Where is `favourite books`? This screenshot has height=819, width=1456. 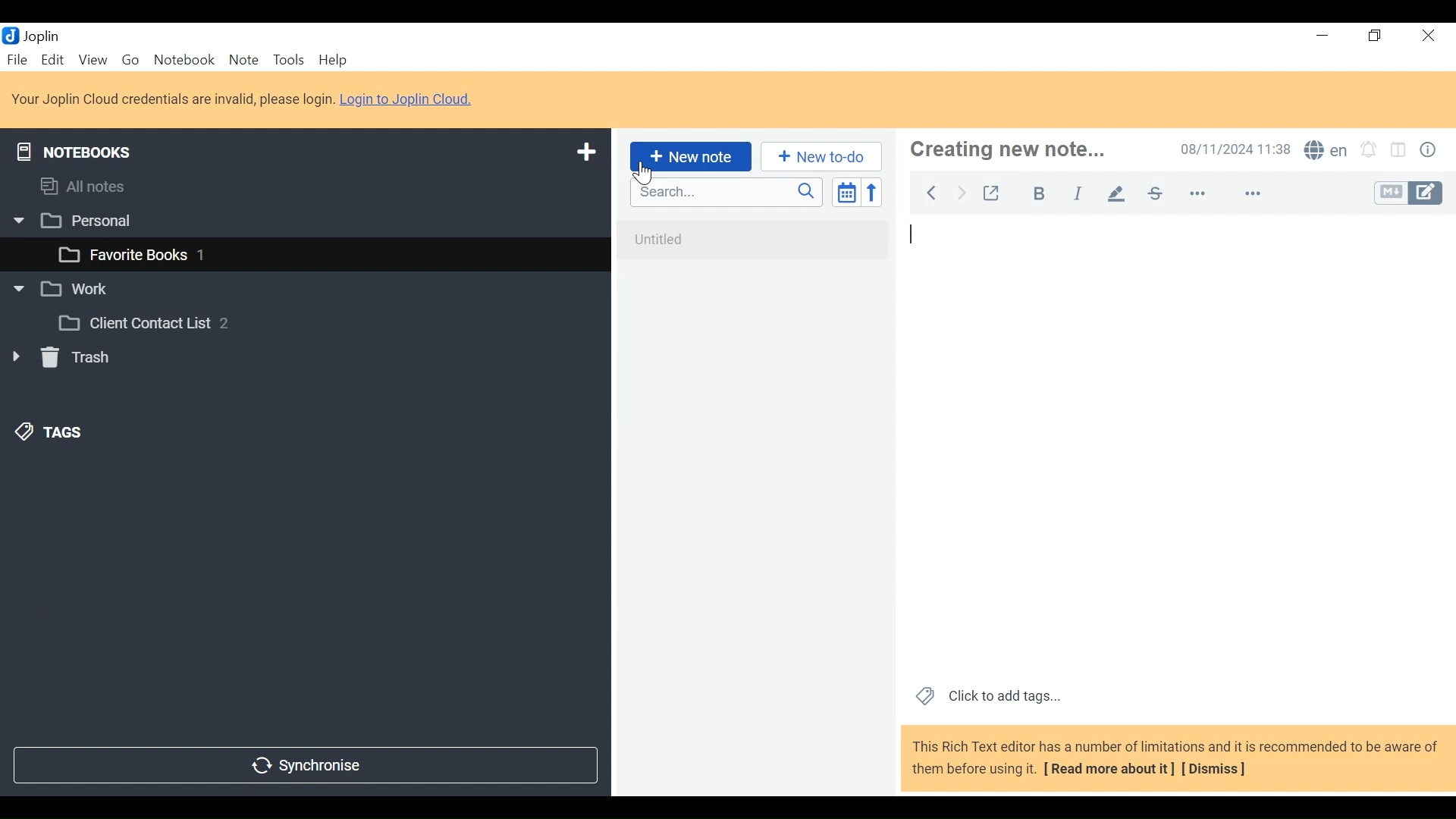
favourite books is located at coordinates (138, 253).